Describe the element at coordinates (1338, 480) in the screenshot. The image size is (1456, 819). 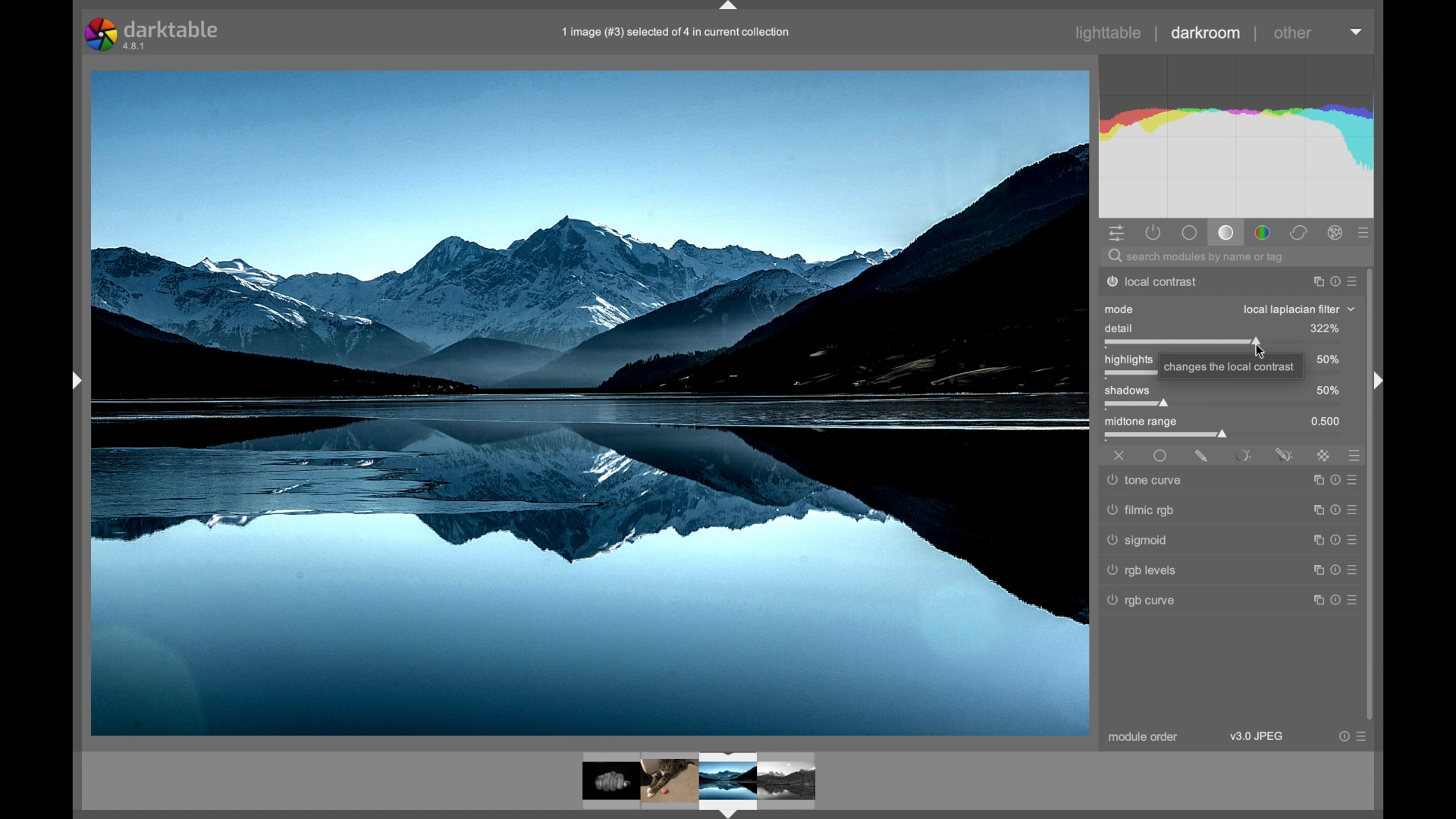
I see `more options` at that location.